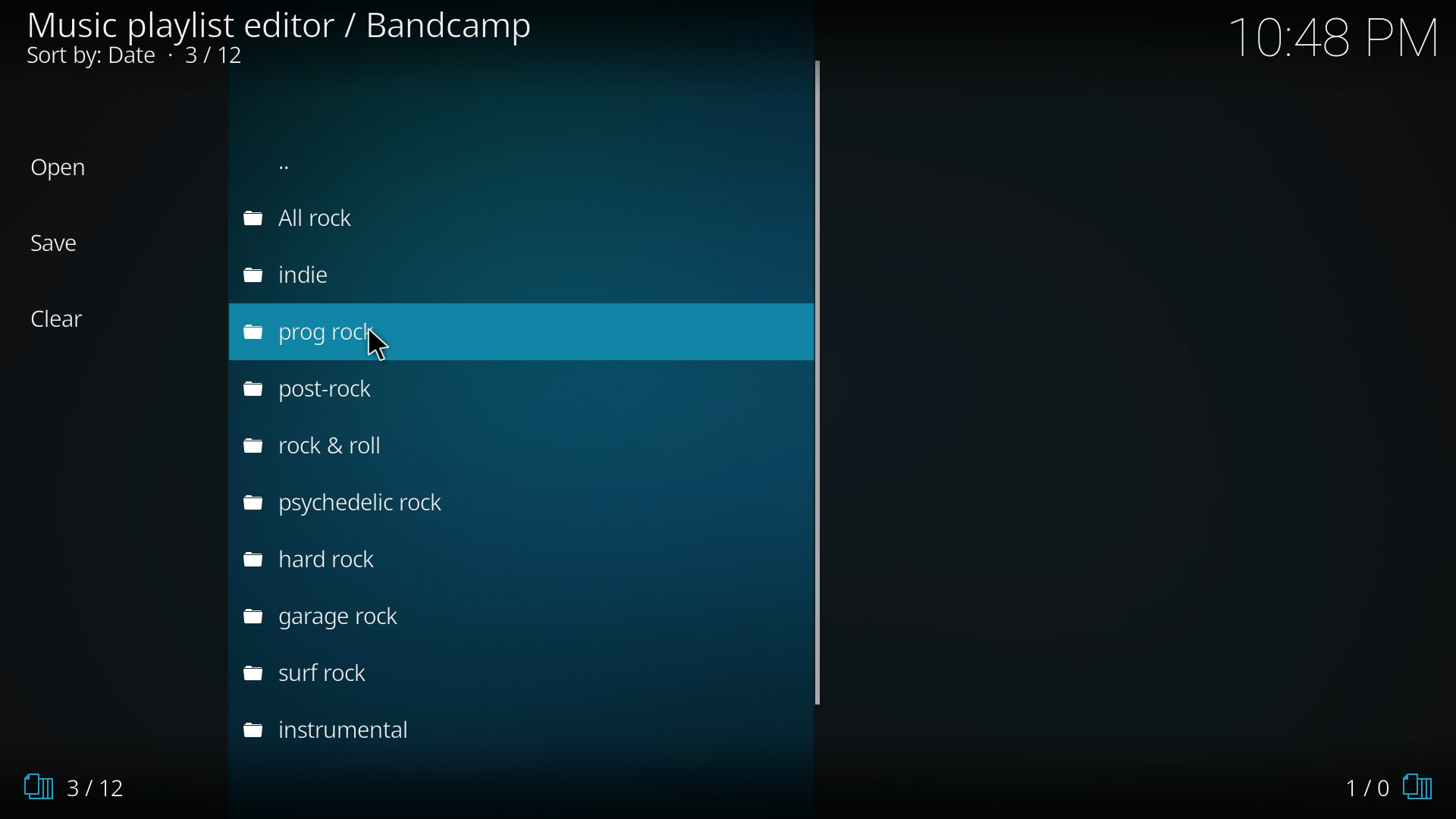 The height and width of the screenshot is (819, 1456). What do you see at coordinates (340, 731) in the screenshot?
I see `instrumental` at bounding box center [340, 731].